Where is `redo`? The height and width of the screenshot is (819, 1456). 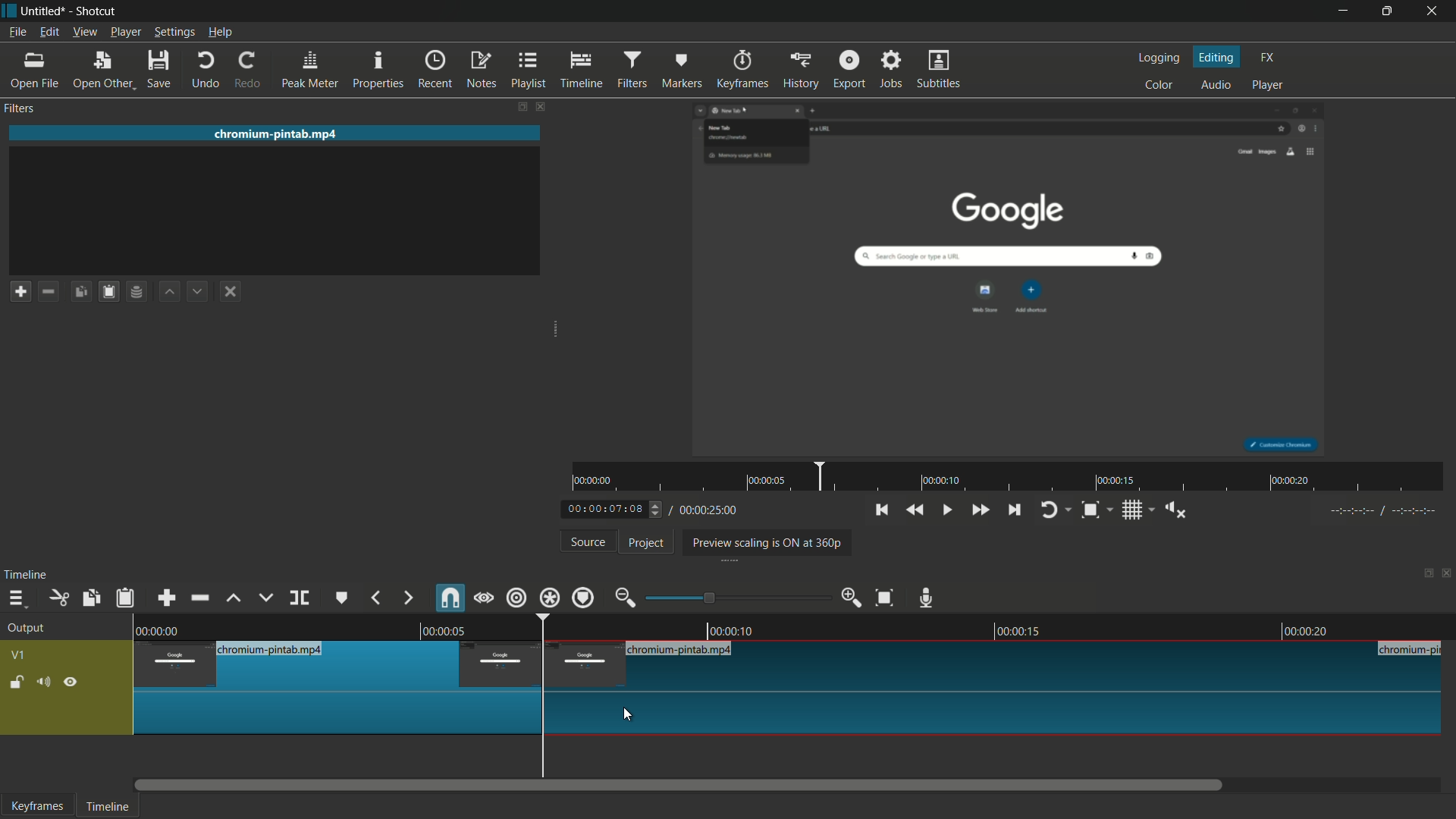 redo is located at coordinates (248, 69).